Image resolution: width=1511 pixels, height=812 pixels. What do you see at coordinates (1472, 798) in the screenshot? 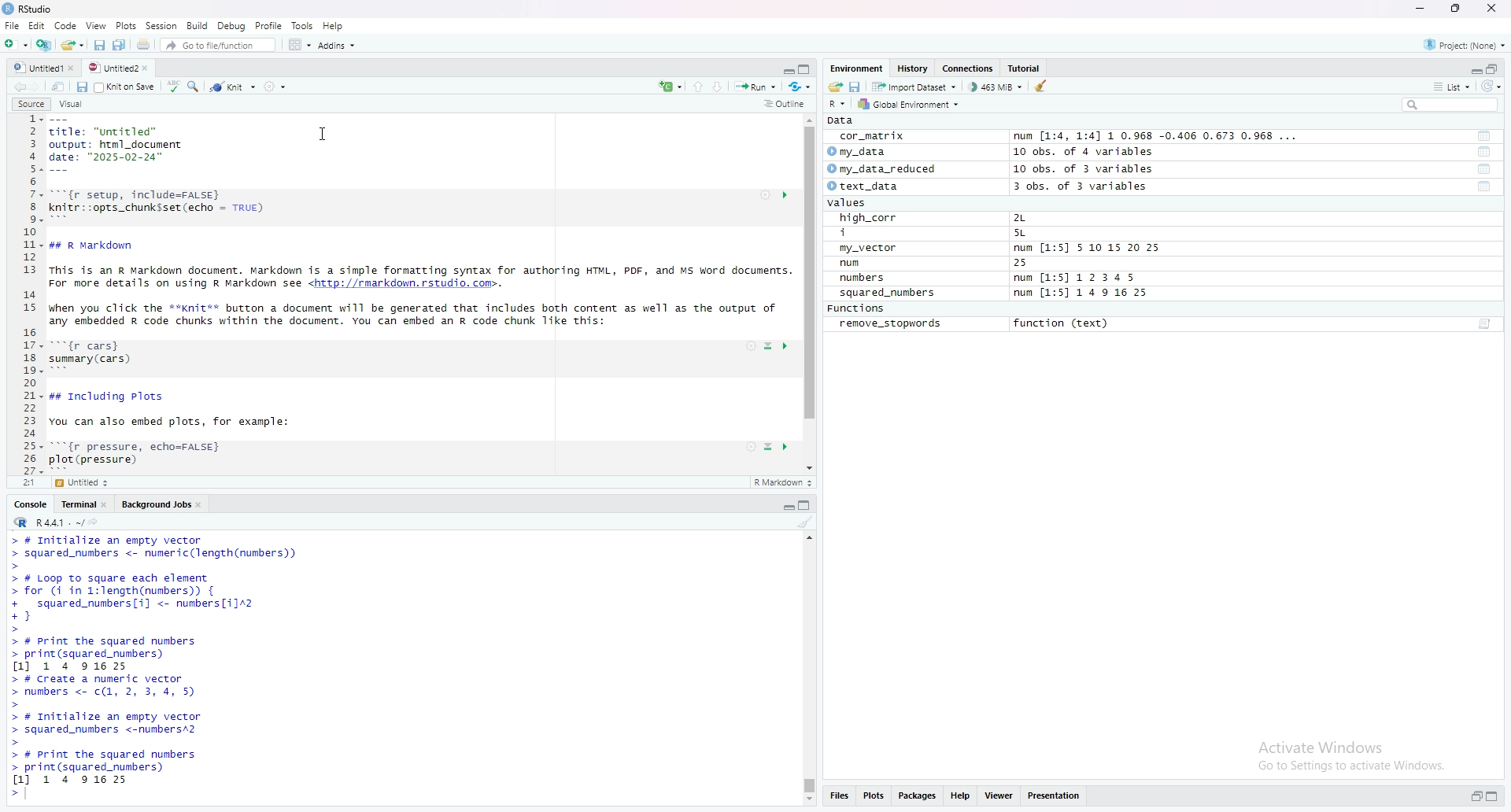
I see `minimize` at bounding box center [1472, 798].